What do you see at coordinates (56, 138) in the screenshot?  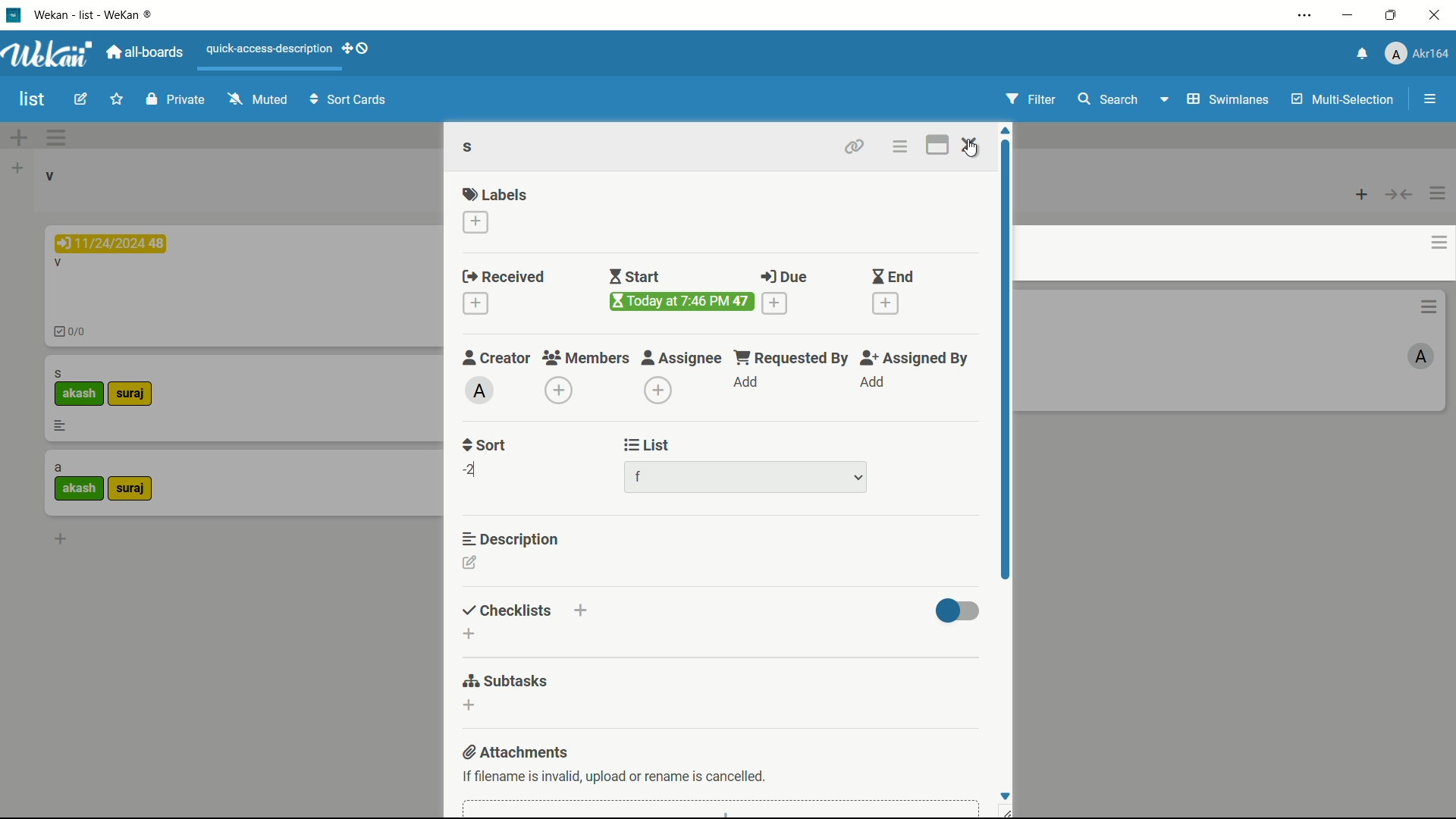 I see `swimlane actions` at bounding box center [56, 138].